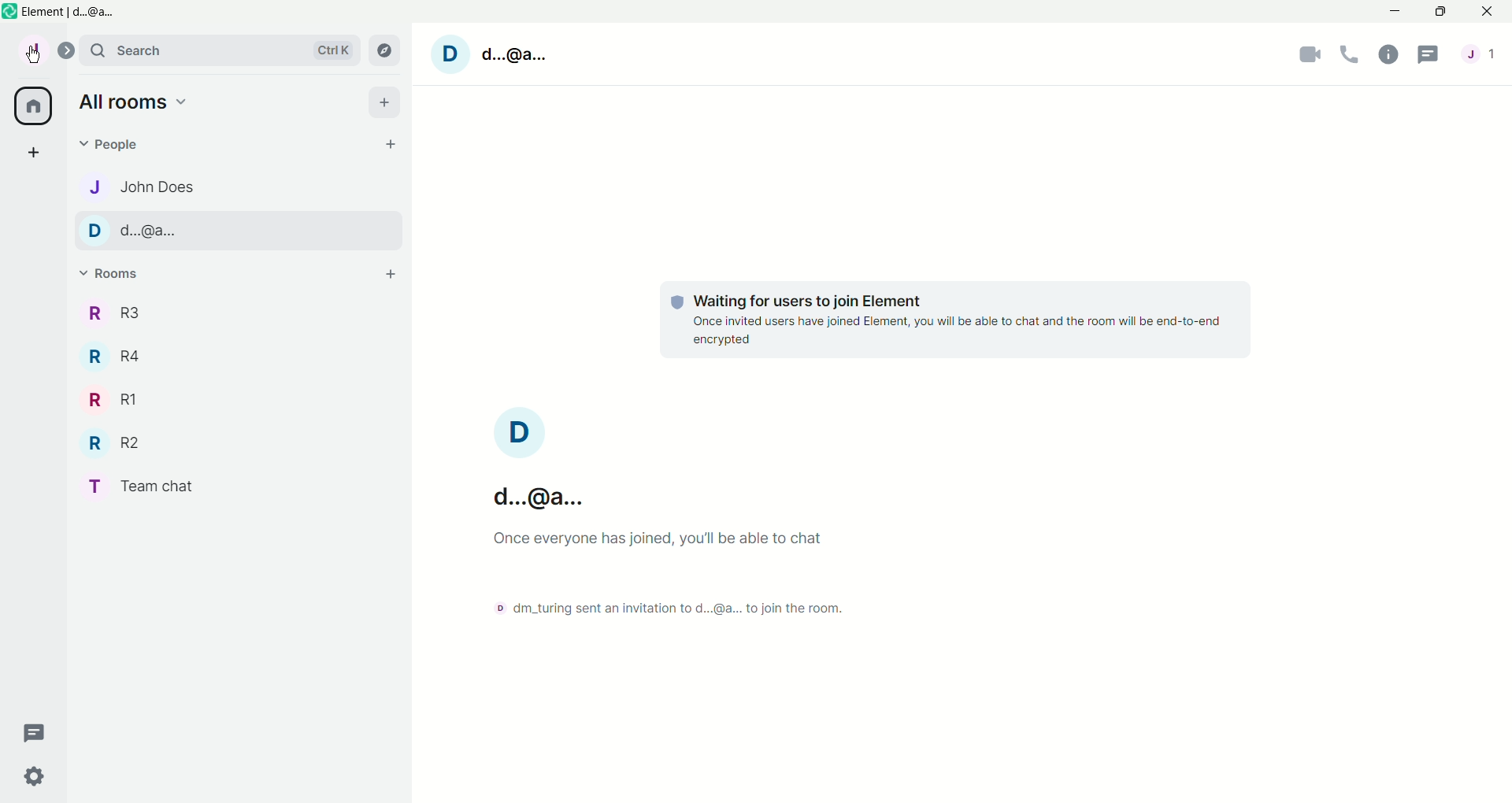 This screenshot has height=803, width=1512. Describe the element at coordinates (150, 187) in the screenshot. I see `John Does - Contact name` at that location.